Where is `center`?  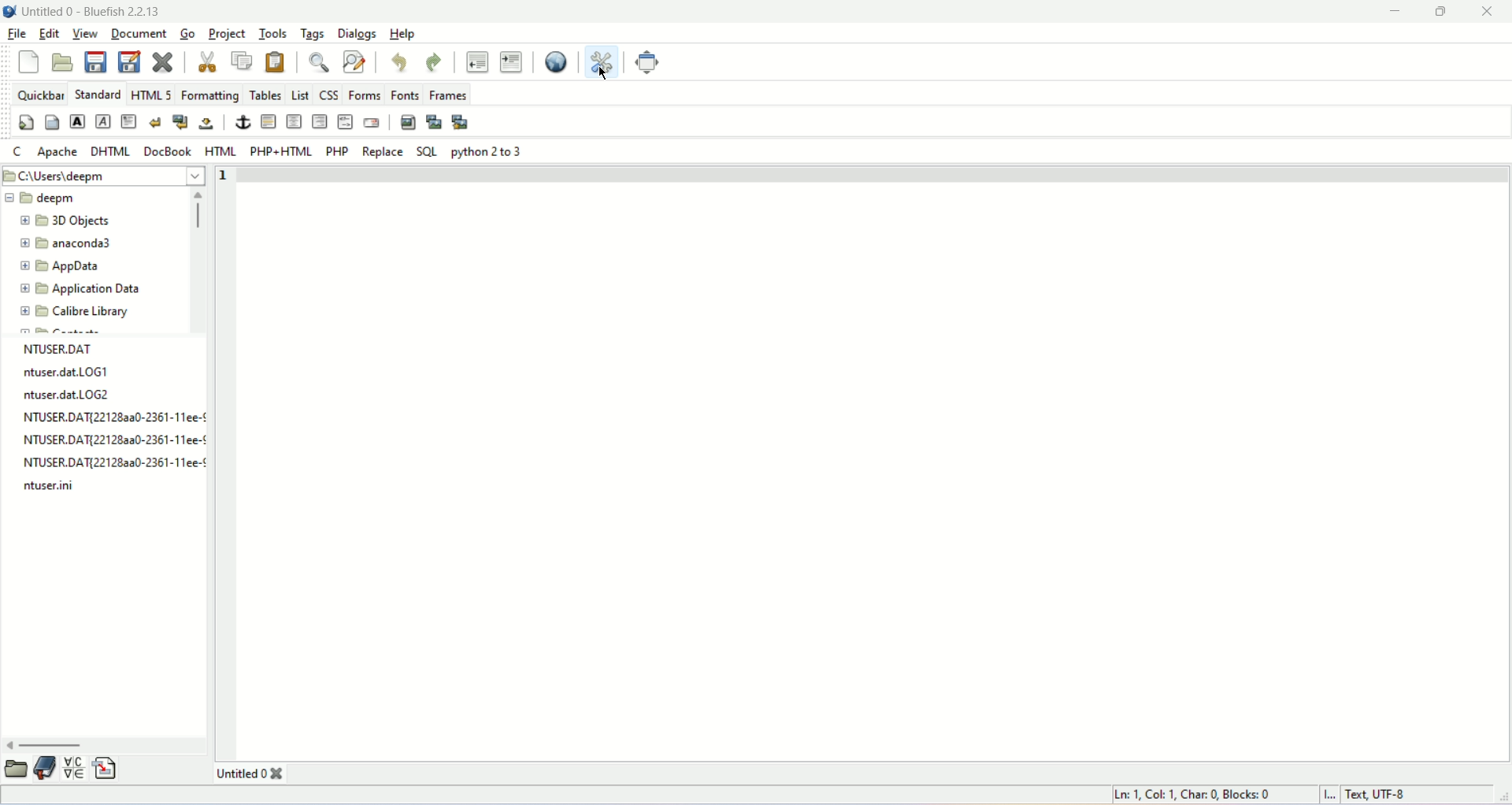 center is located at coordinates (293, 121).